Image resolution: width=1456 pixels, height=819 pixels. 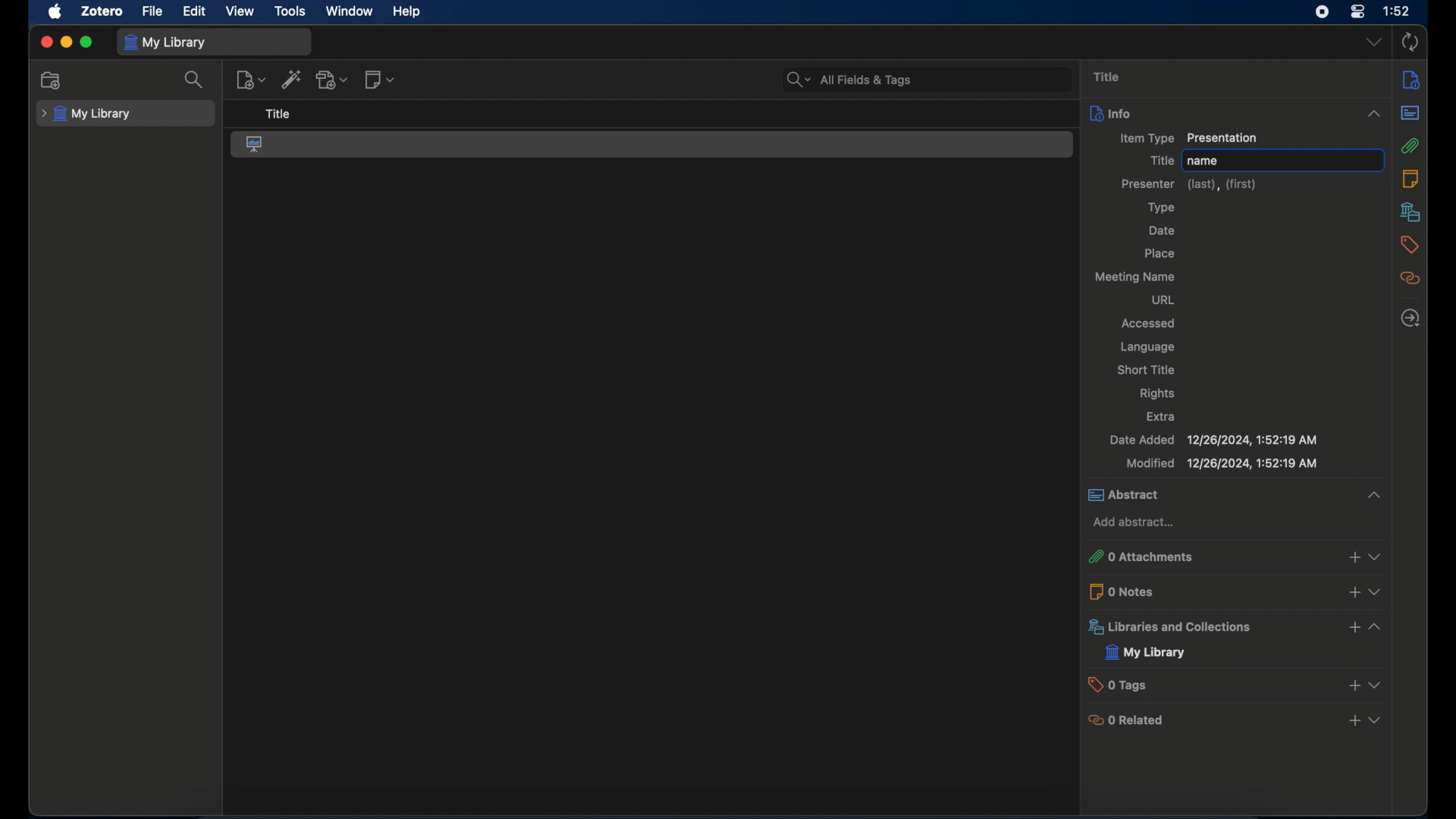 I want to click on file, so click(x=152, y=11).